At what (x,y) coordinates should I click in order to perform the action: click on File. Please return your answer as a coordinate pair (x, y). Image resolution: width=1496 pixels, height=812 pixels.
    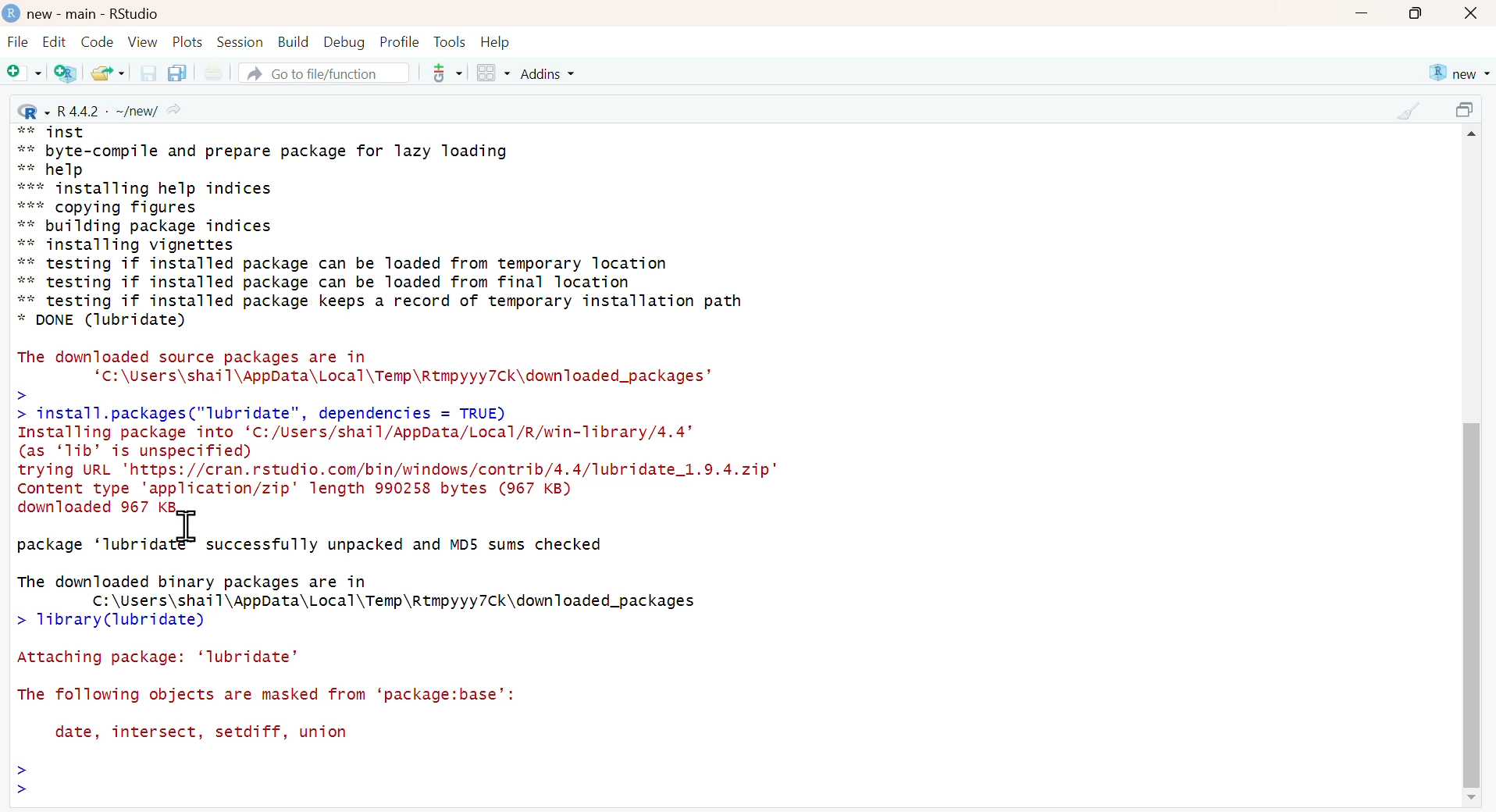
    Looking at the image, I should click on (18, 44).